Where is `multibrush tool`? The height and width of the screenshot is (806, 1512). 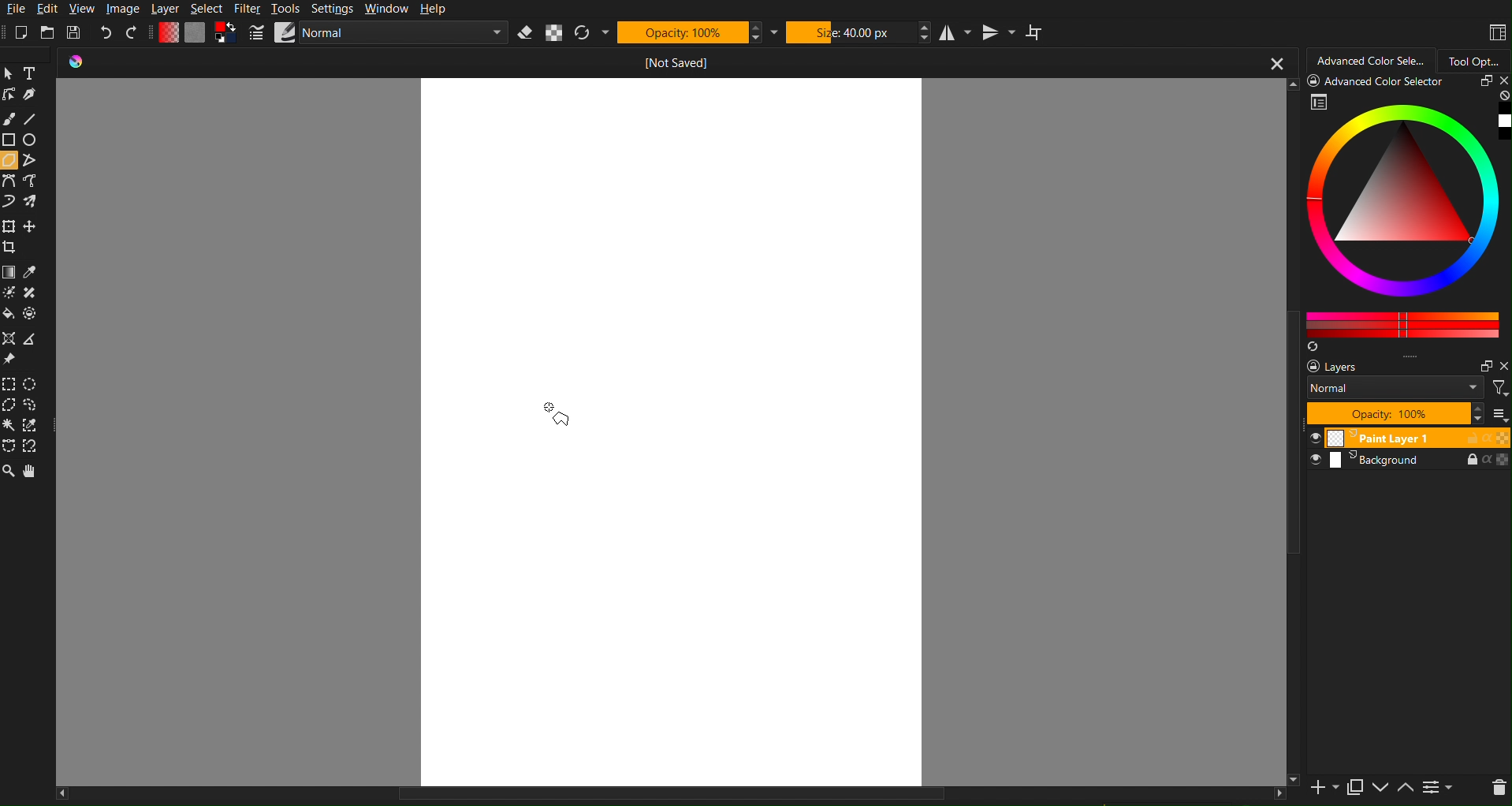
multibrush tool is located at coordinates (34, 203).